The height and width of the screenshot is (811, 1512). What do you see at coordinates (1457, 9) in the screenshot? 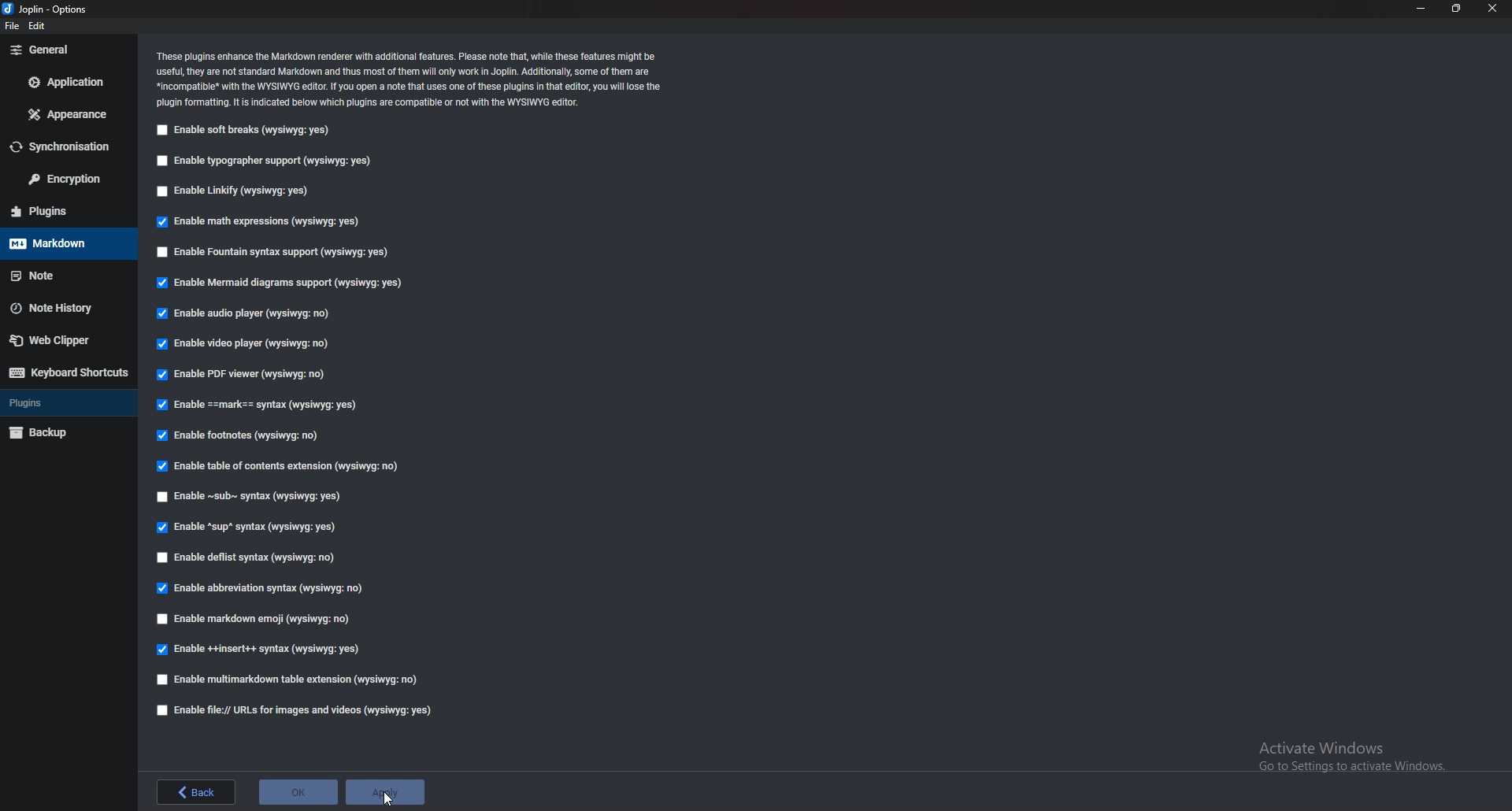
I see `resize` at bounding box center [1457, 9].